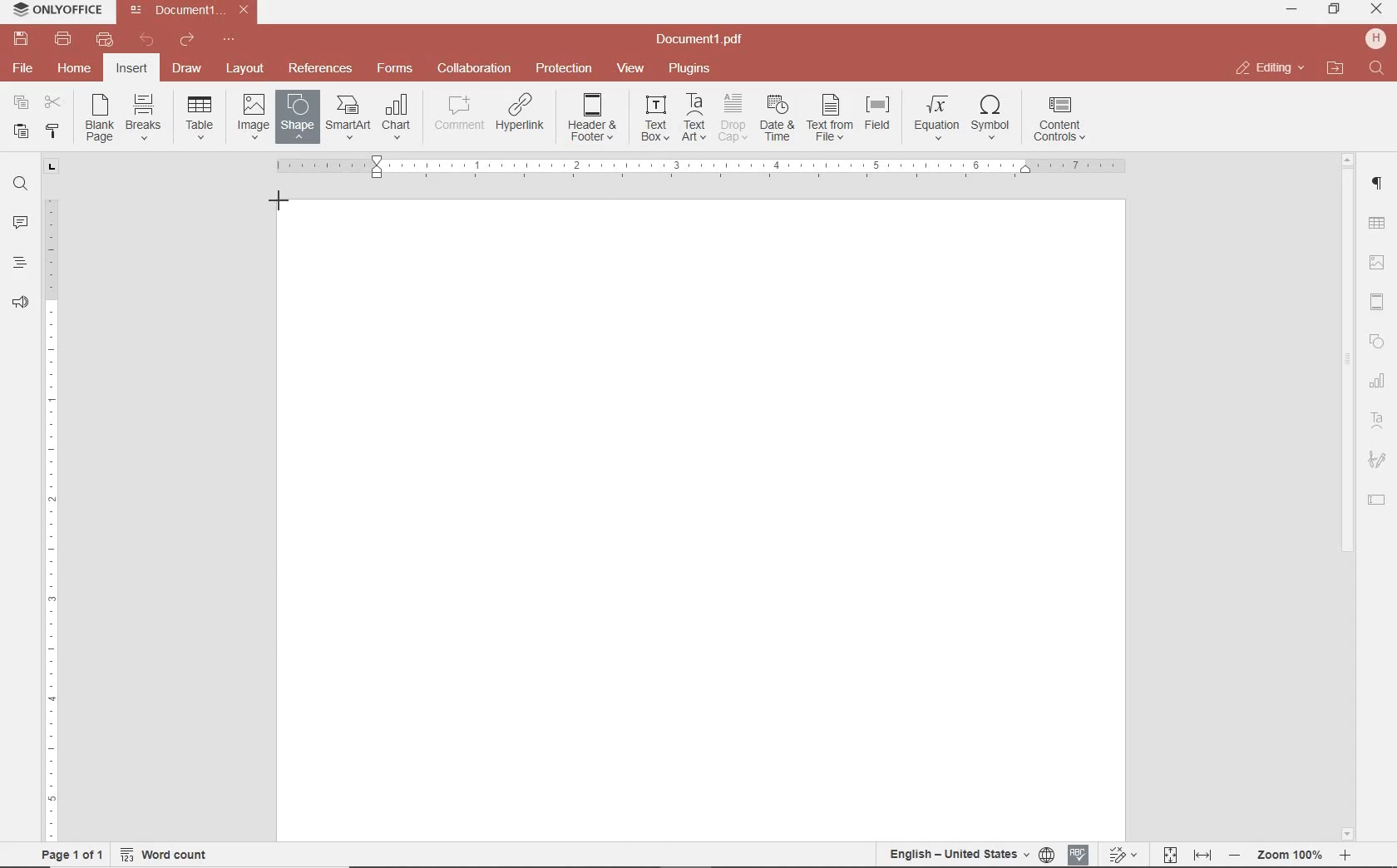 This screenshot has width=1397, height=868. What do you see at coordinates (103, 39) in the screenshot?
I see `quick print` at bounding box center [103, 39].